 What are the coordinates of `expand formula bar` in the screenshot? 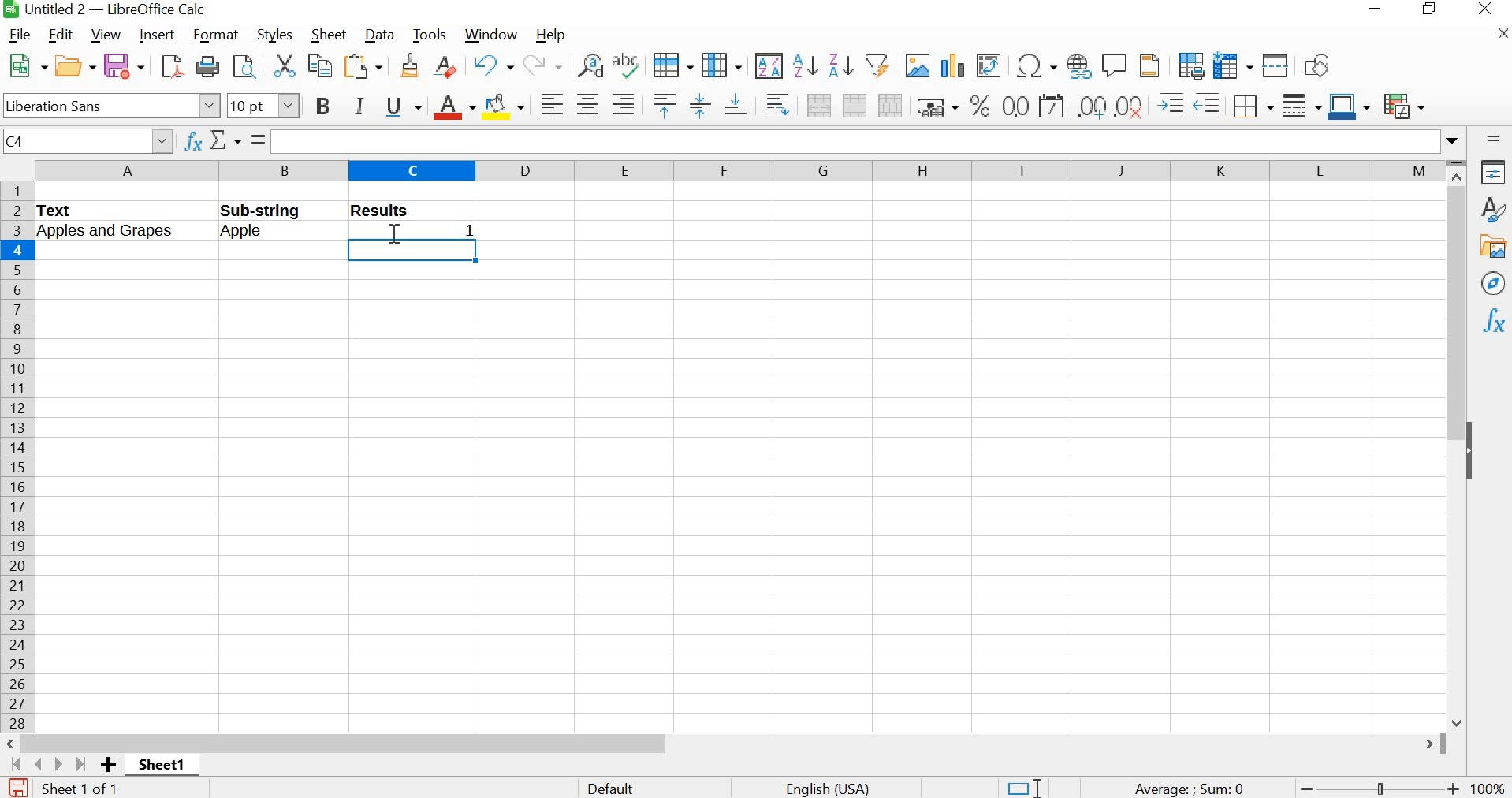 It's located at (869, 140).